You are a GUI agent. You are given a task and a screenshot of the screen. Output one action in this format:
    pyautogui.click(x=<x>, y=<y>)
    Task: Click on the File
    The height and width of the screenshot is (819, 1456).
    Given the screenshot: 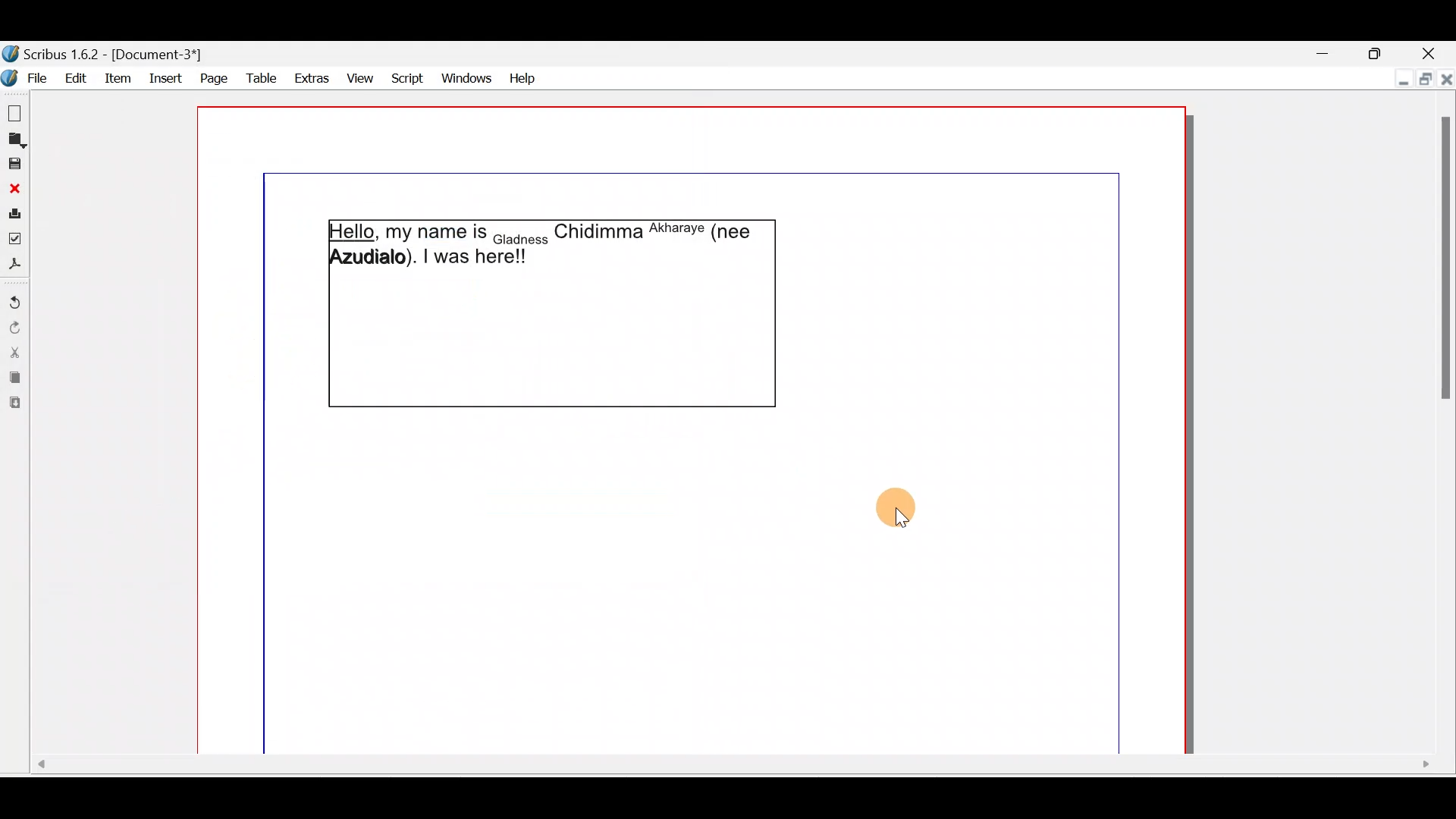 What is the action you would take?
    pyautogui.click(x=37, y=78)
    